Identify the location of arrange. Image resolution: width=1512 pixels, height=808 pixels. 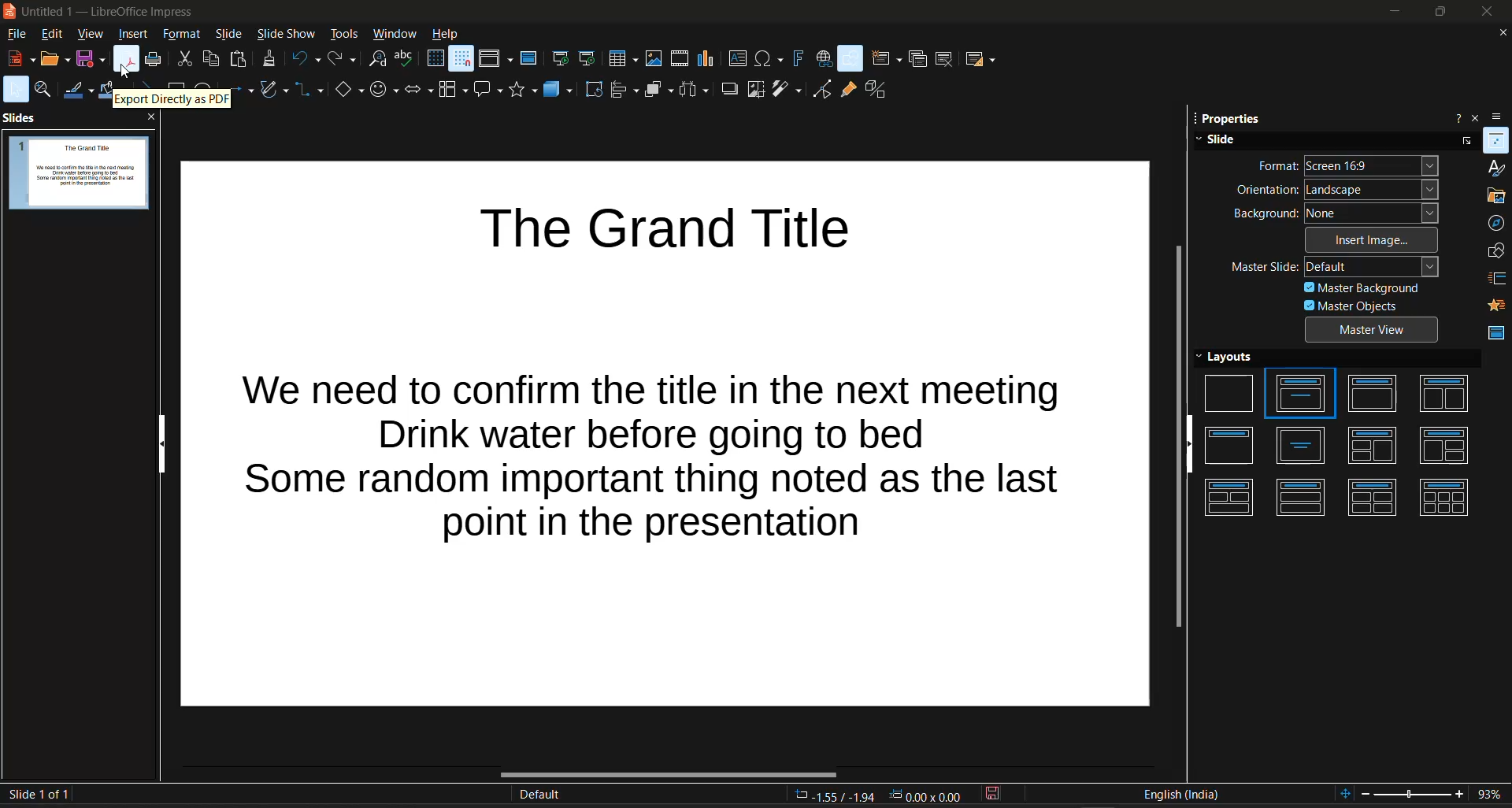
(660, 89).